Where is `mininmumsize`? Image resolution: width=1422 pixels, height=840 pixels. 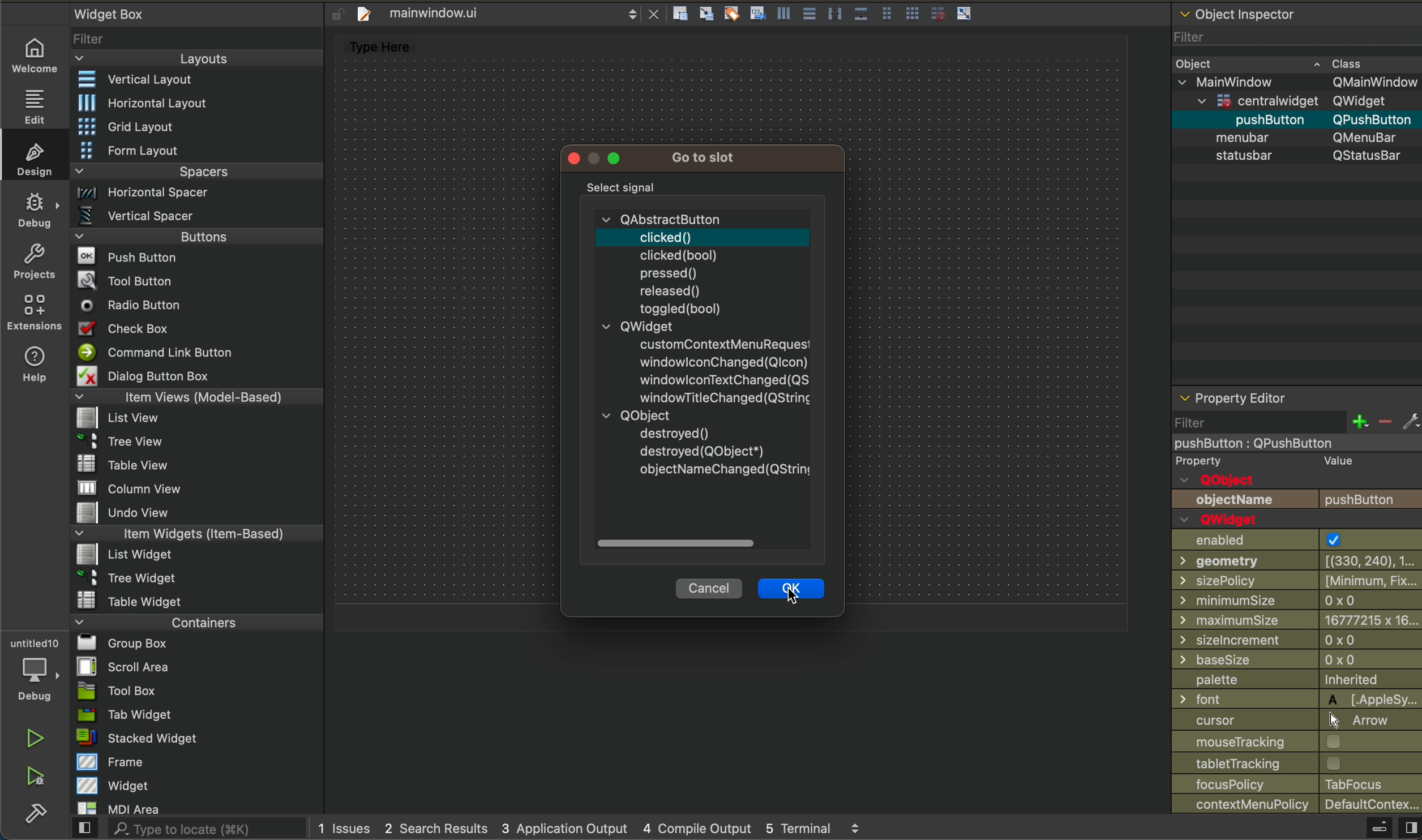
mininmumsize is located at coordinates (1296, 599).